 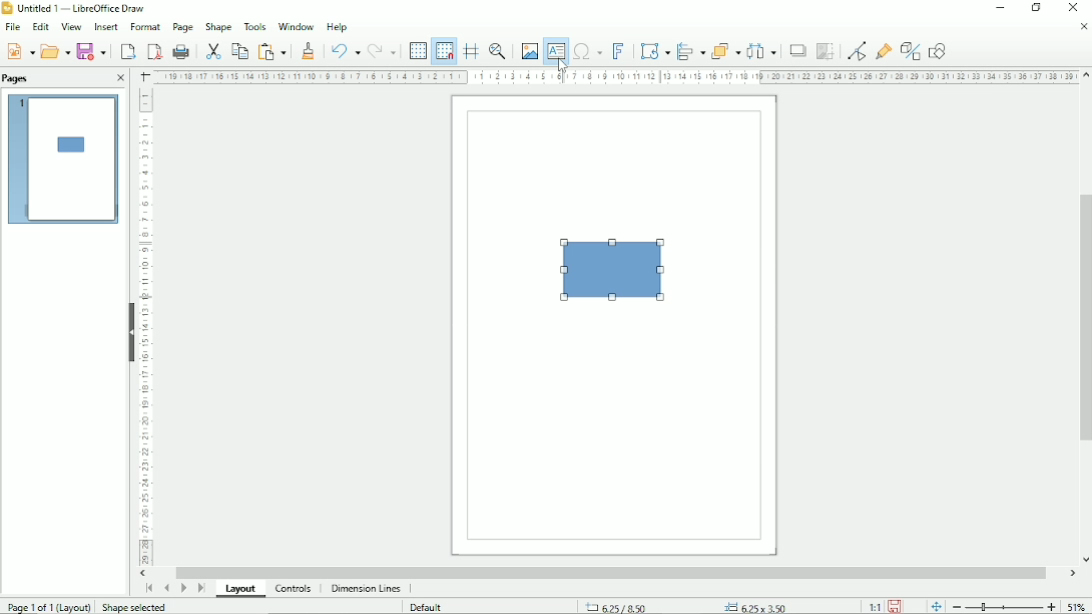 I want to click on export, so click(x=128, y=51).